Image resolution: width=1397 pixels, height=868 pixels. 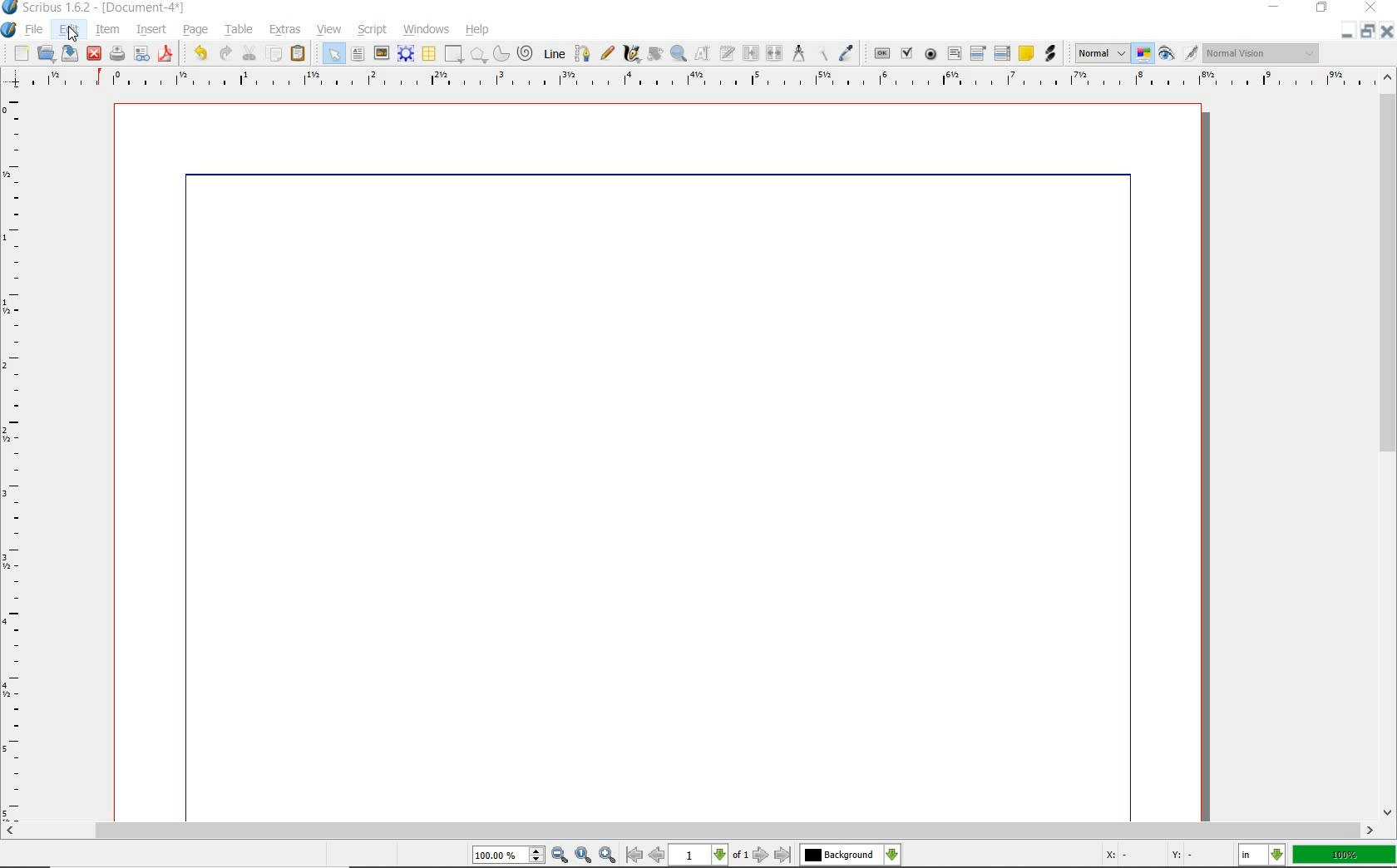 What do you see at coordinates (428, 54) in the screenshot?
I see `table` at bounding box center [428, 54].